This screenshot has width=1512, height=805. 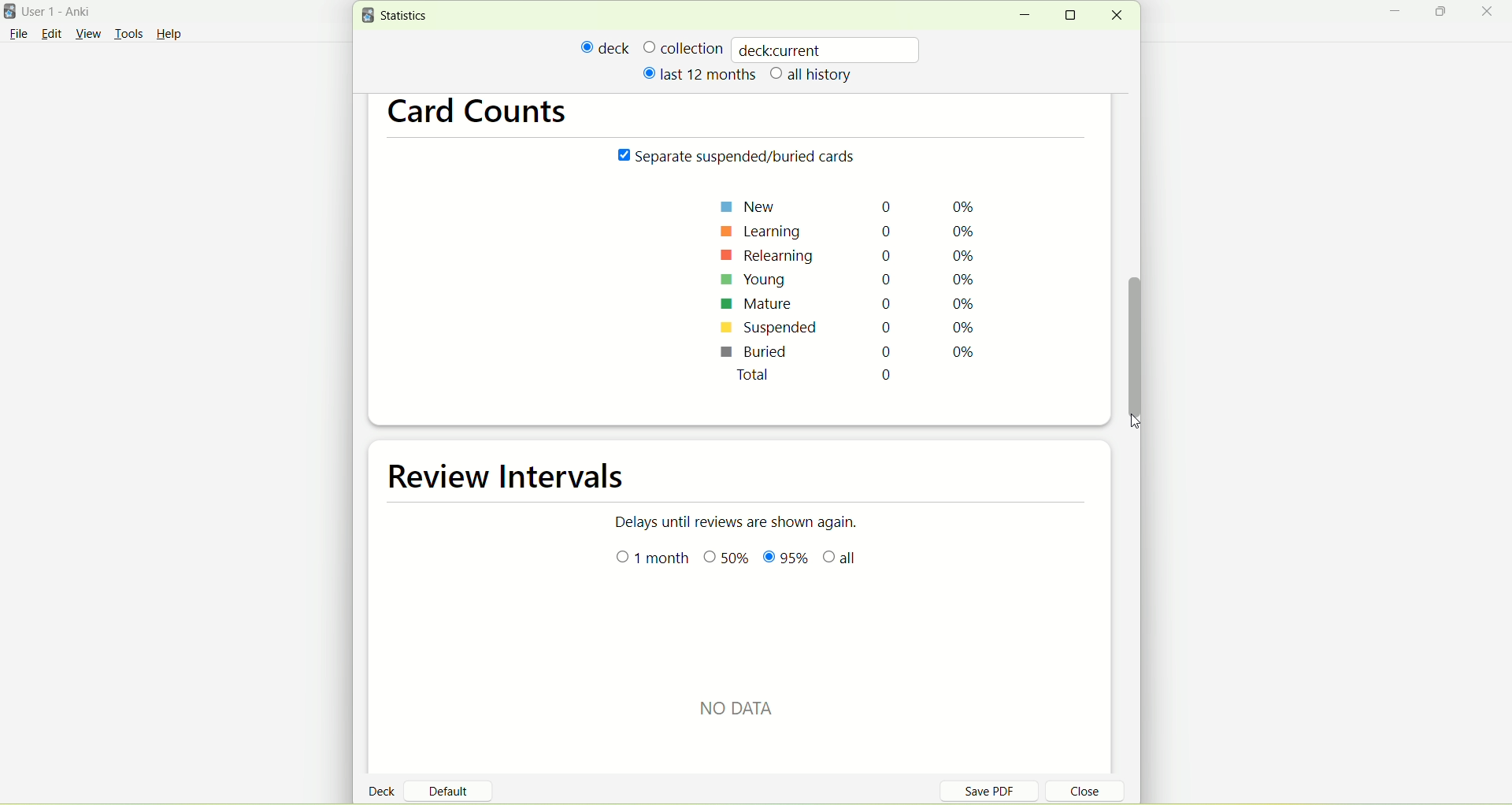 What do you see at coordinates (518, 478) in the screenshot?
I see `review intervals` at bounding box center [518, 478].